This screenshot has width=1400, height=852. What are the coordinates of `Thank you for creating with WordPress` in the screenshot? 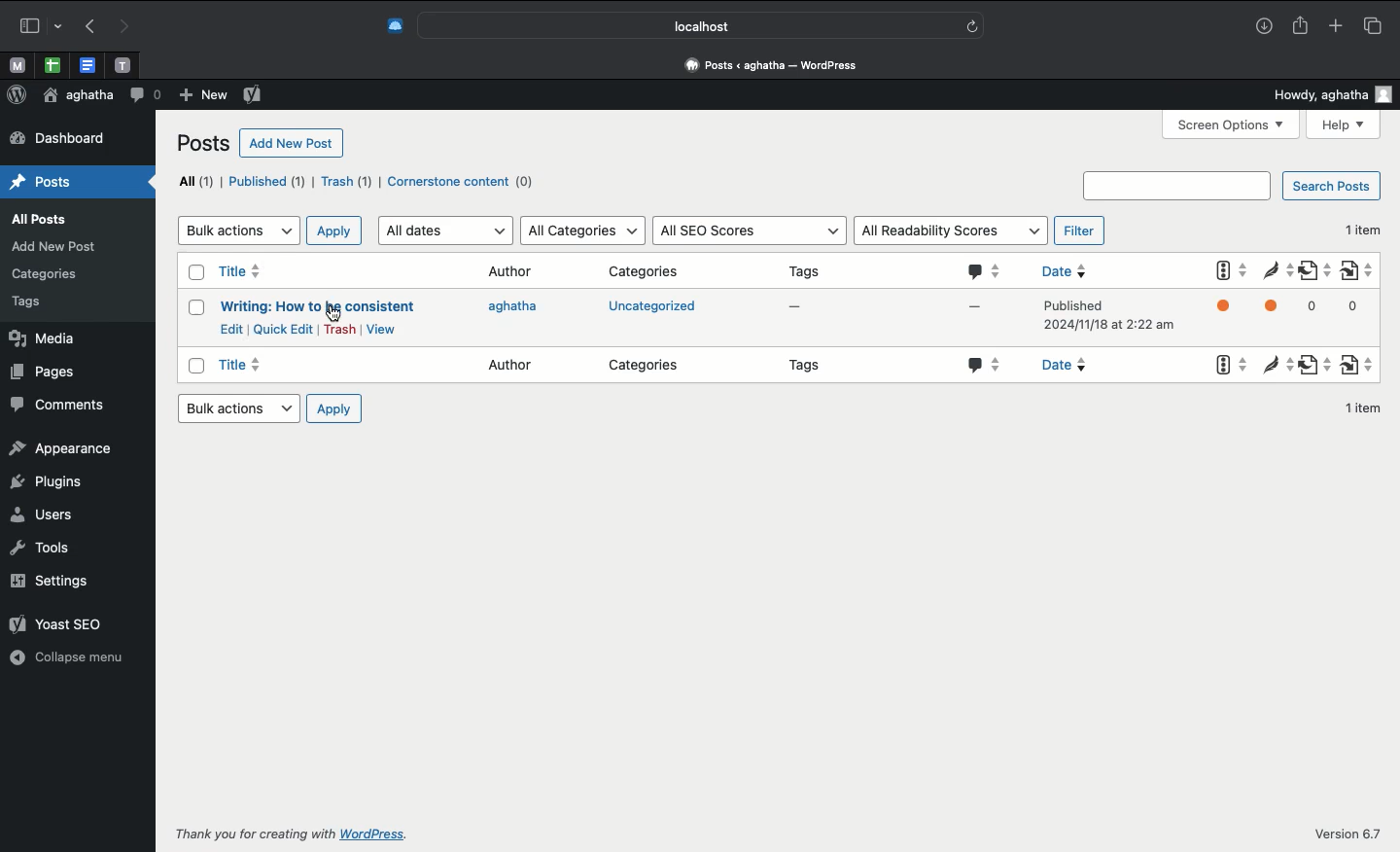 It's located at (295, 834).